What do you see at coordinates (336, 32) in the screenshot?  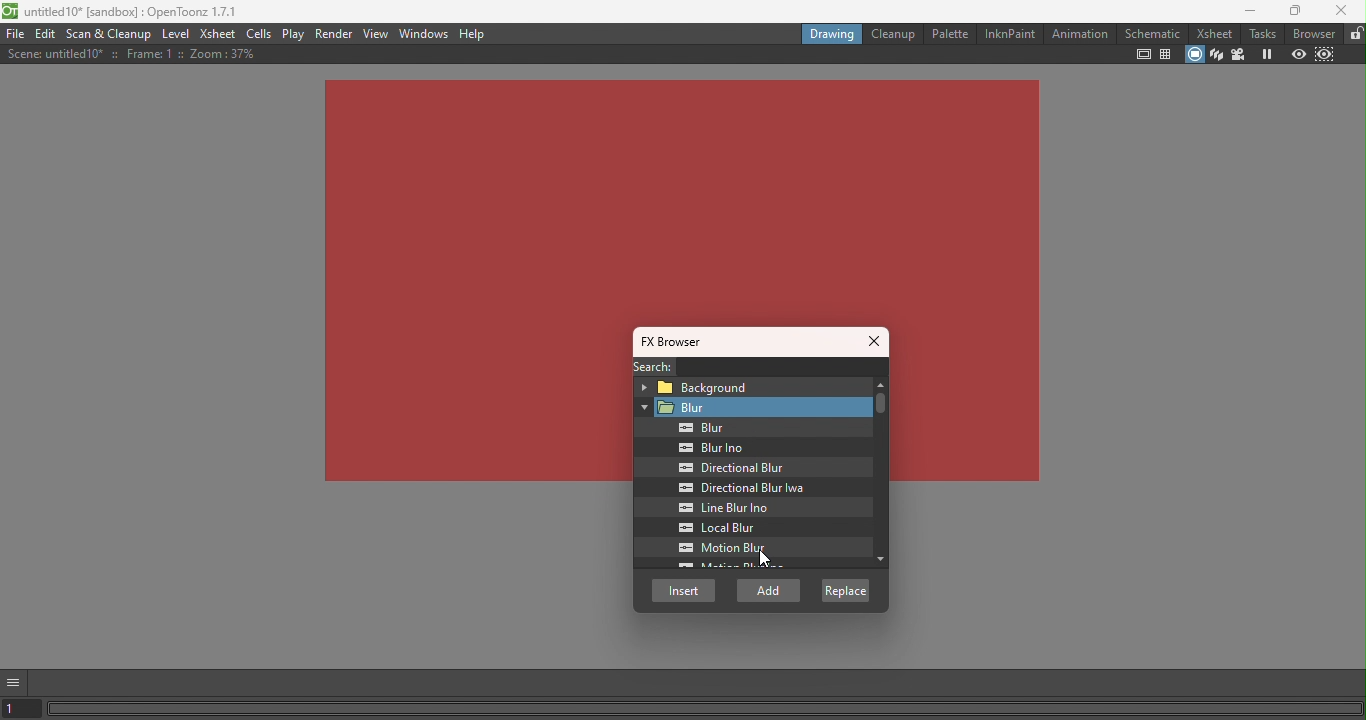 I see `Render` at bounding box center [336, 32].